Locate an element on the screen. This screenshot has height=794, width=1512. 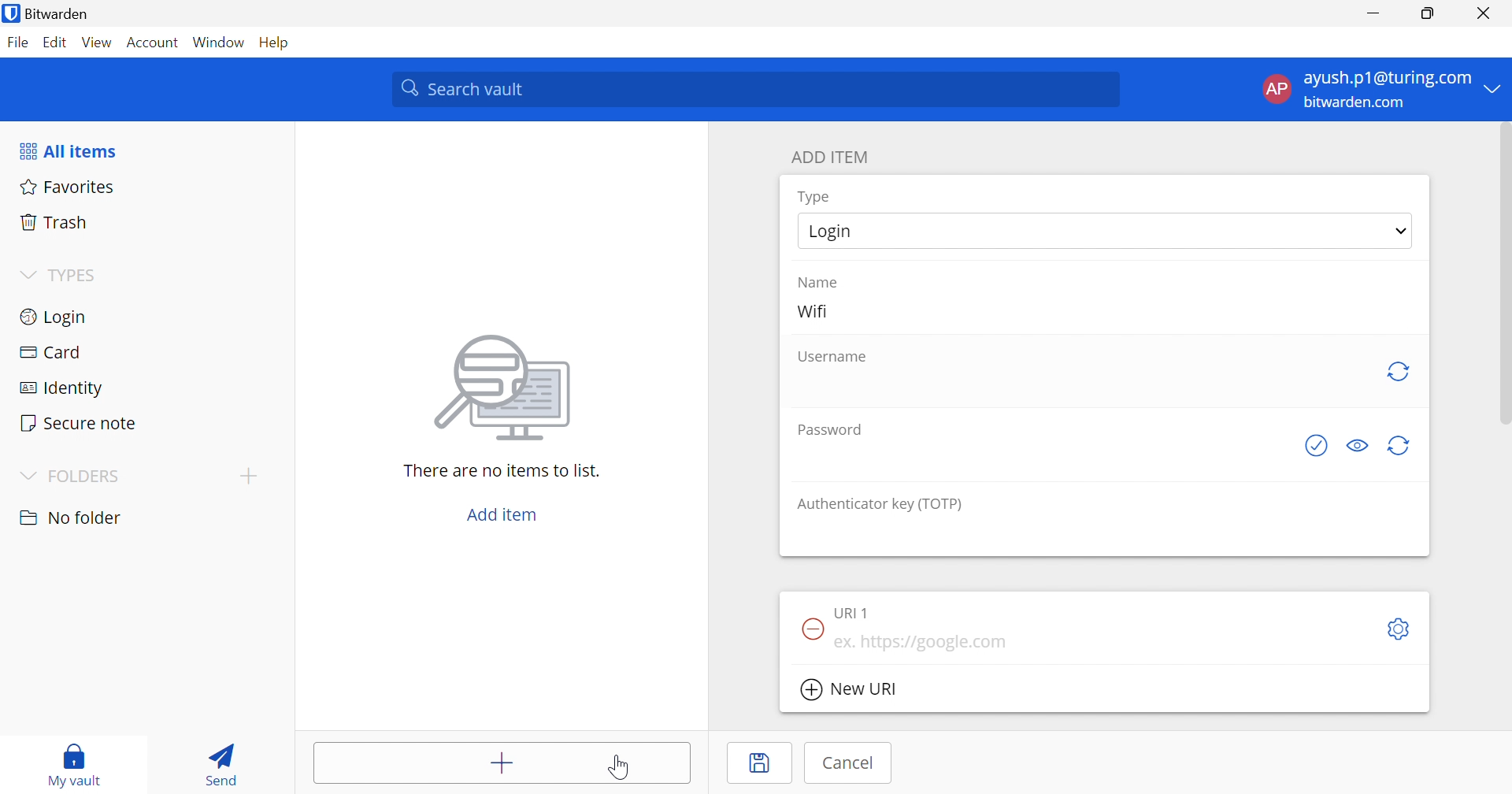
Card is located at coordinates (50, 352).